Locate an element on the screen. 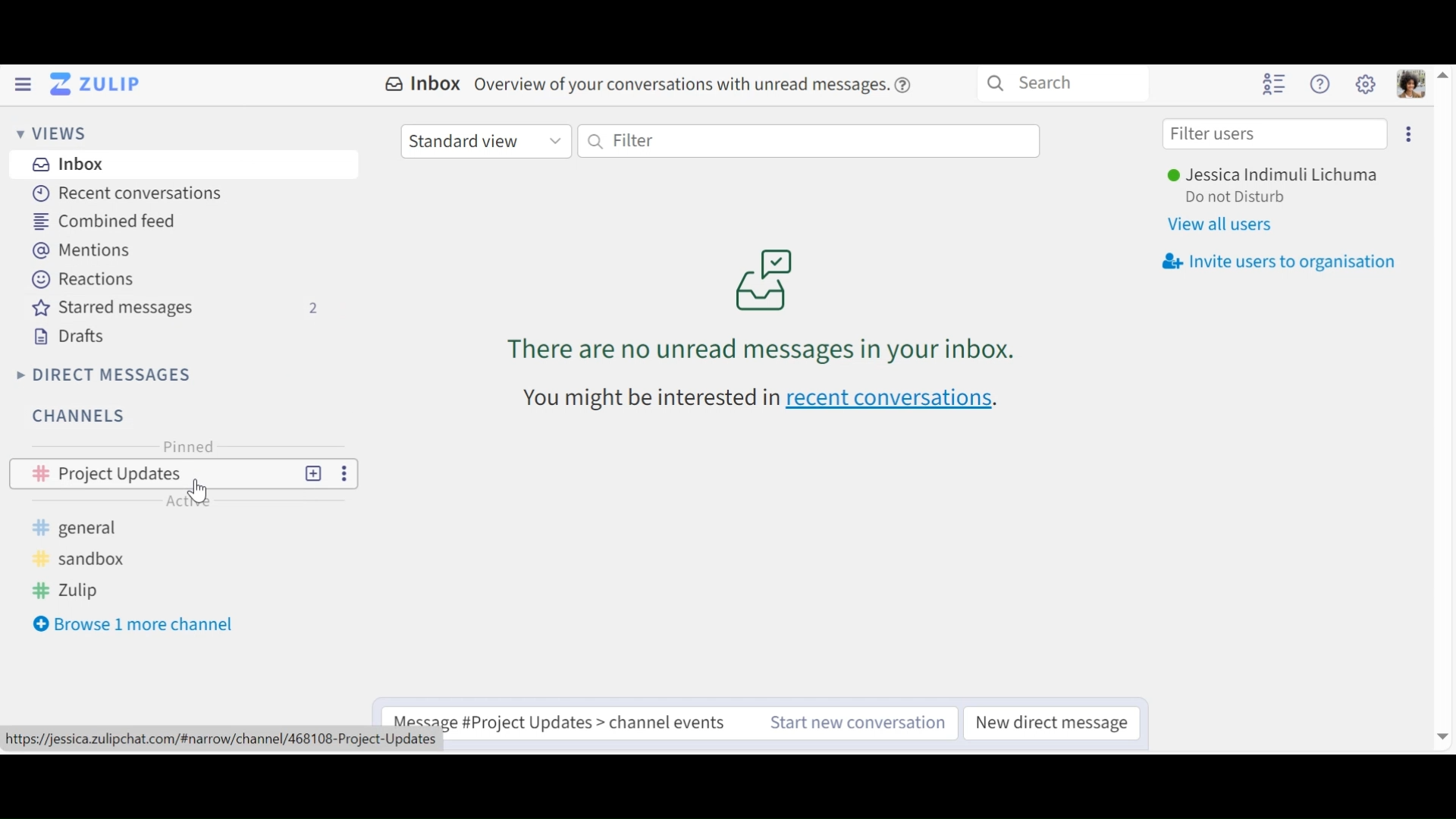  Combined feed is located at coordinates (102, 221).